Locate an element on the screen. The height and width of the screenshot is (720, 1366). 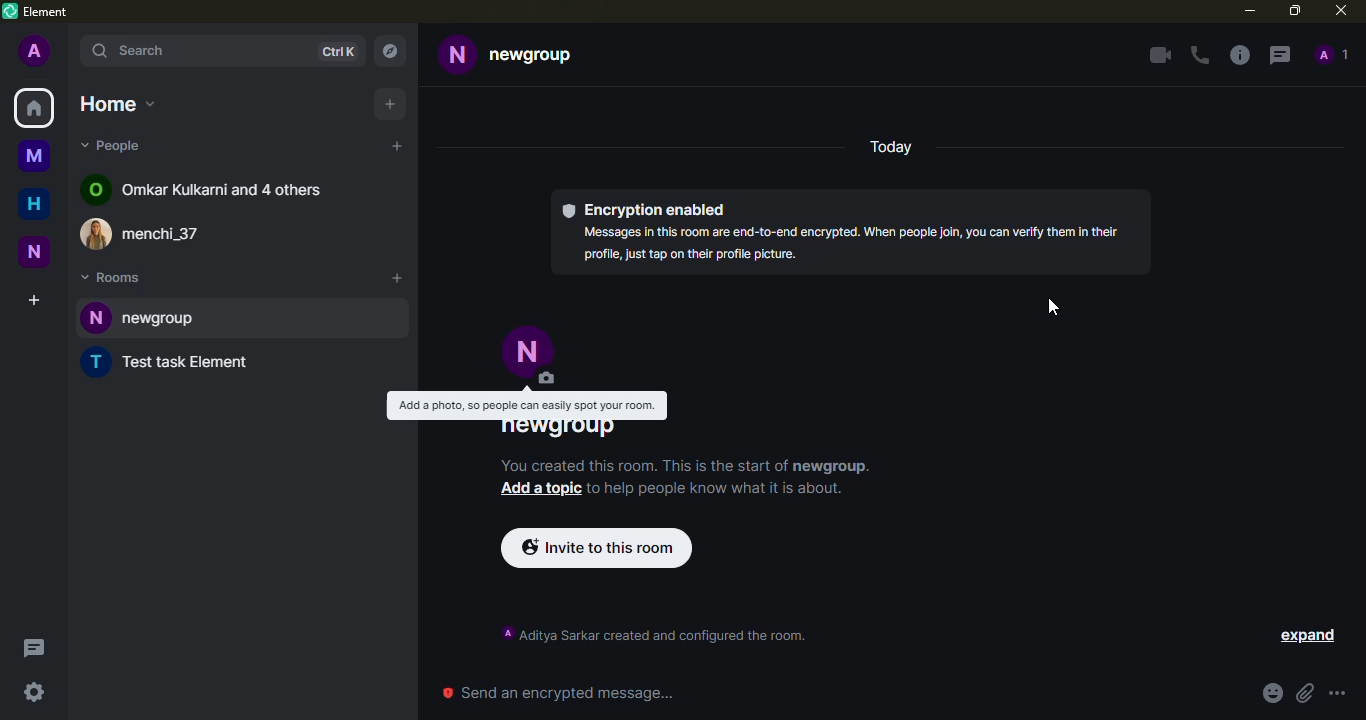
‘Omkar Kulkarni and 4 others is located at coordinates (222, 189).